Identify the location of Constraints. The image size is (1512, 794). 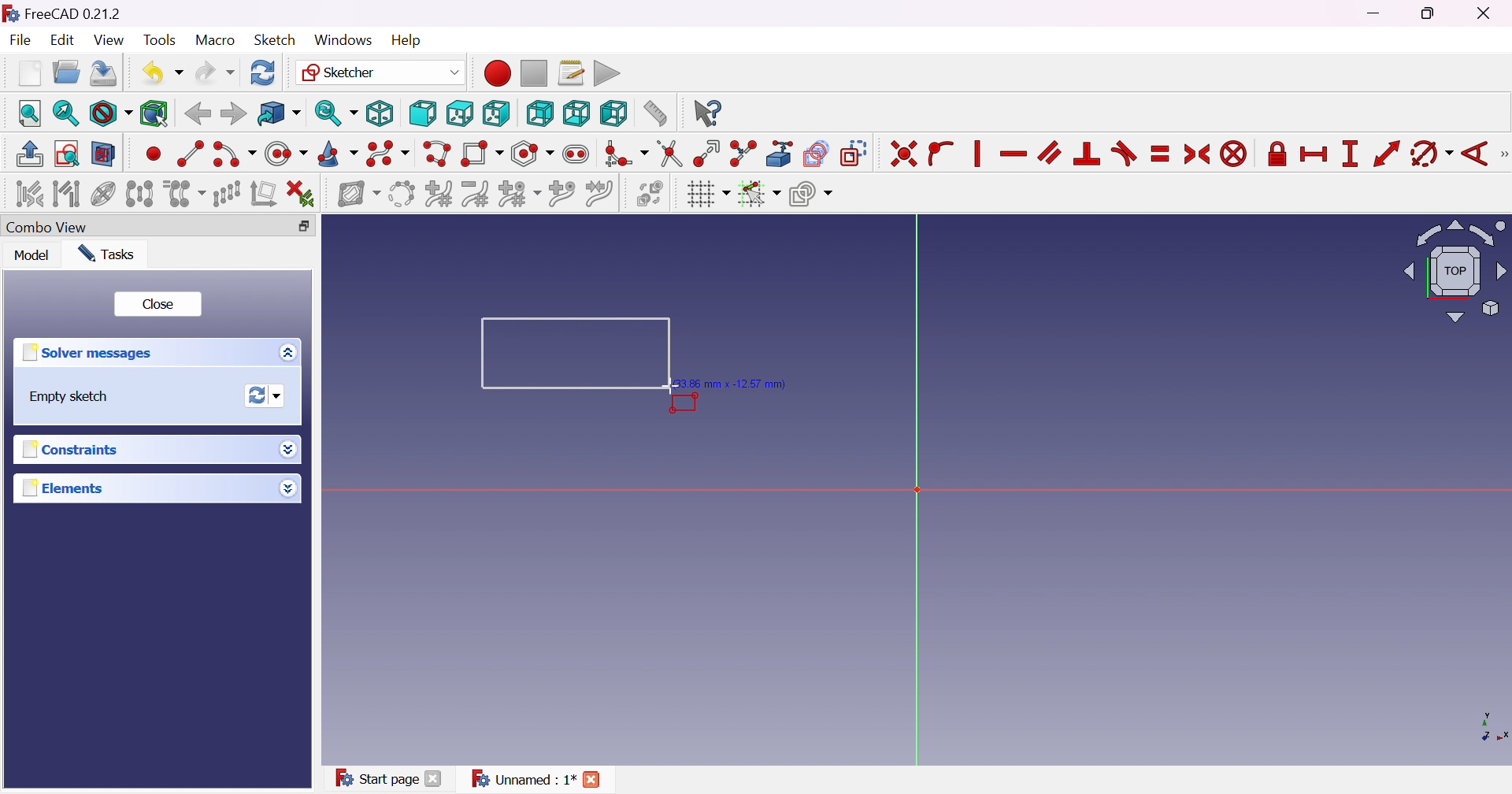
(80, 448).